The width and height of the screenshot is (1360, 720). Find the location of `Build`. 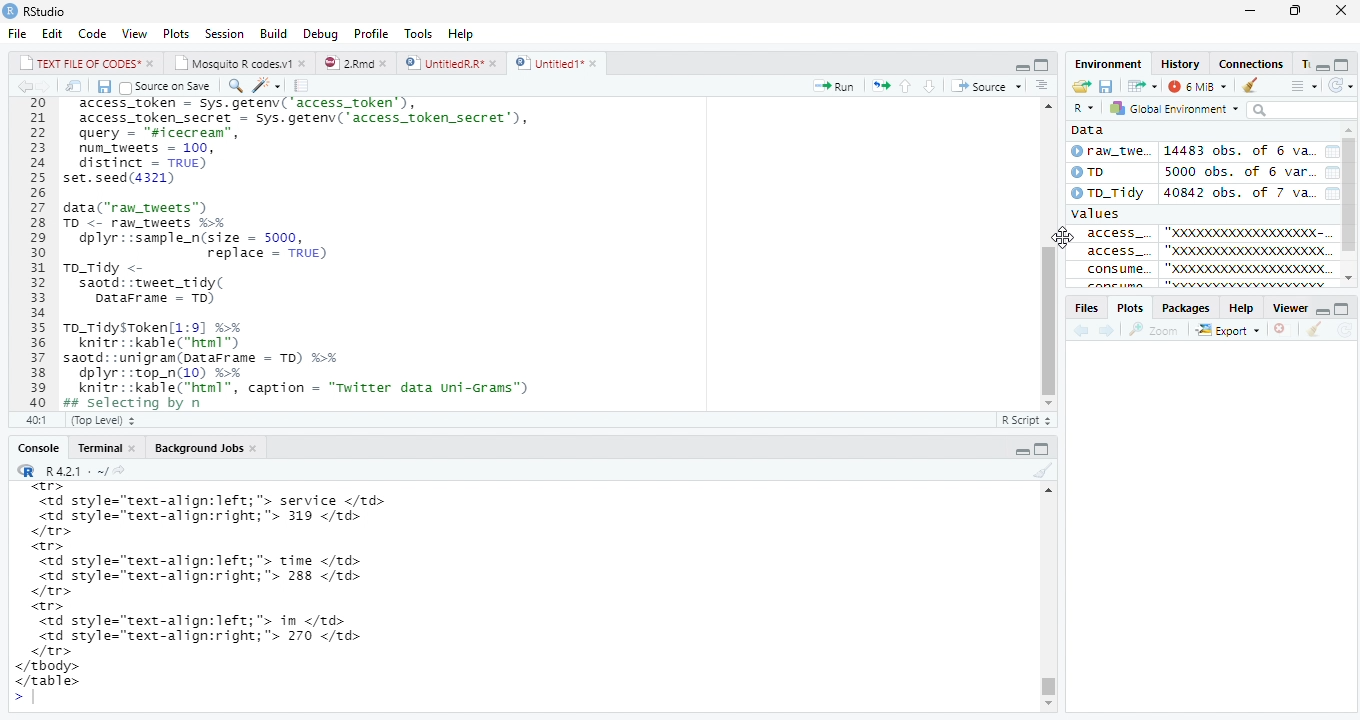

Build is located at coordinates (272, 32).